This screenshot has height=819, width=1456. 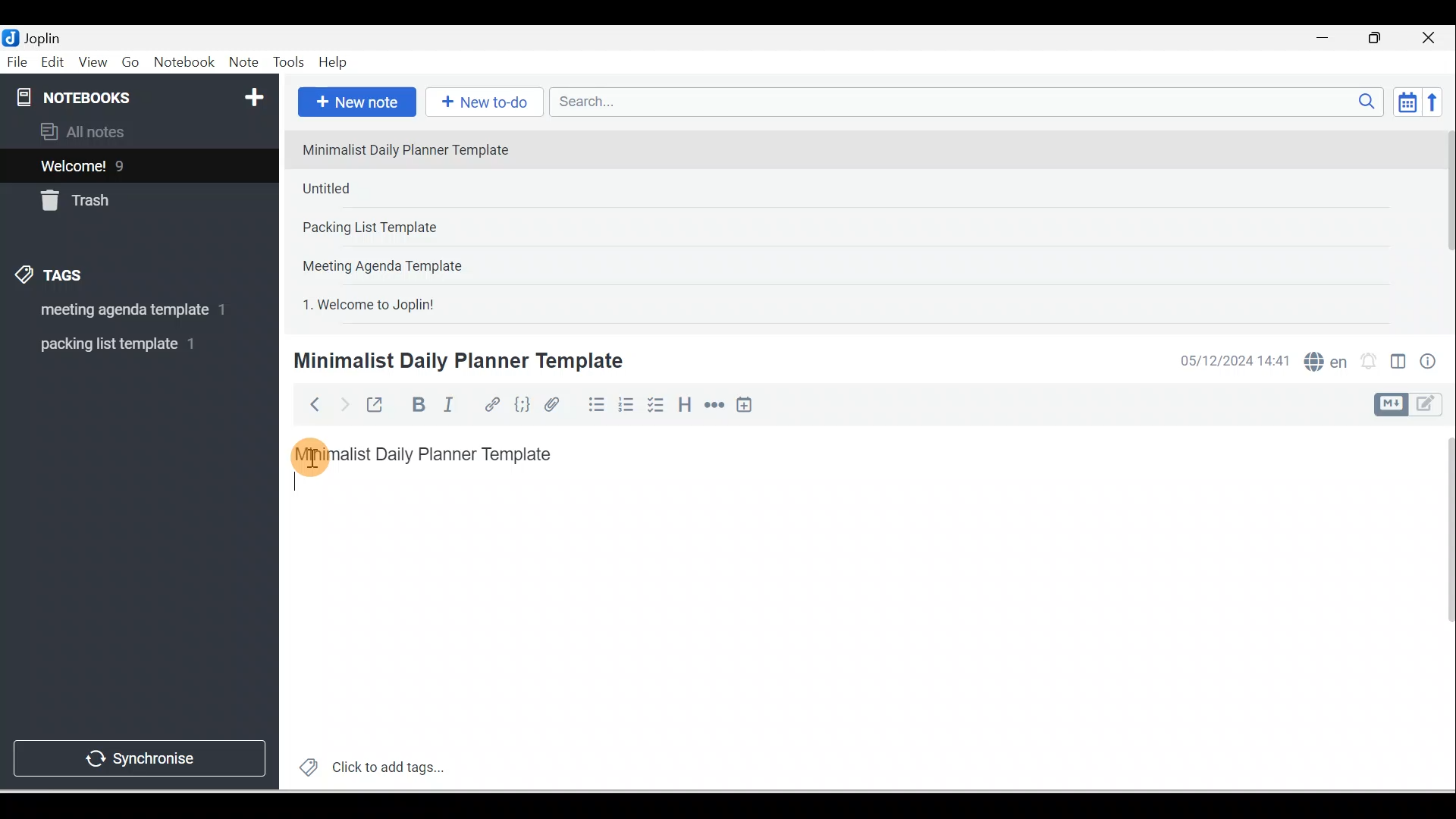 What do you see at coordinates (143, 94) in the screenshot?
I see `Notebooks` at bounding box center [143, 94].